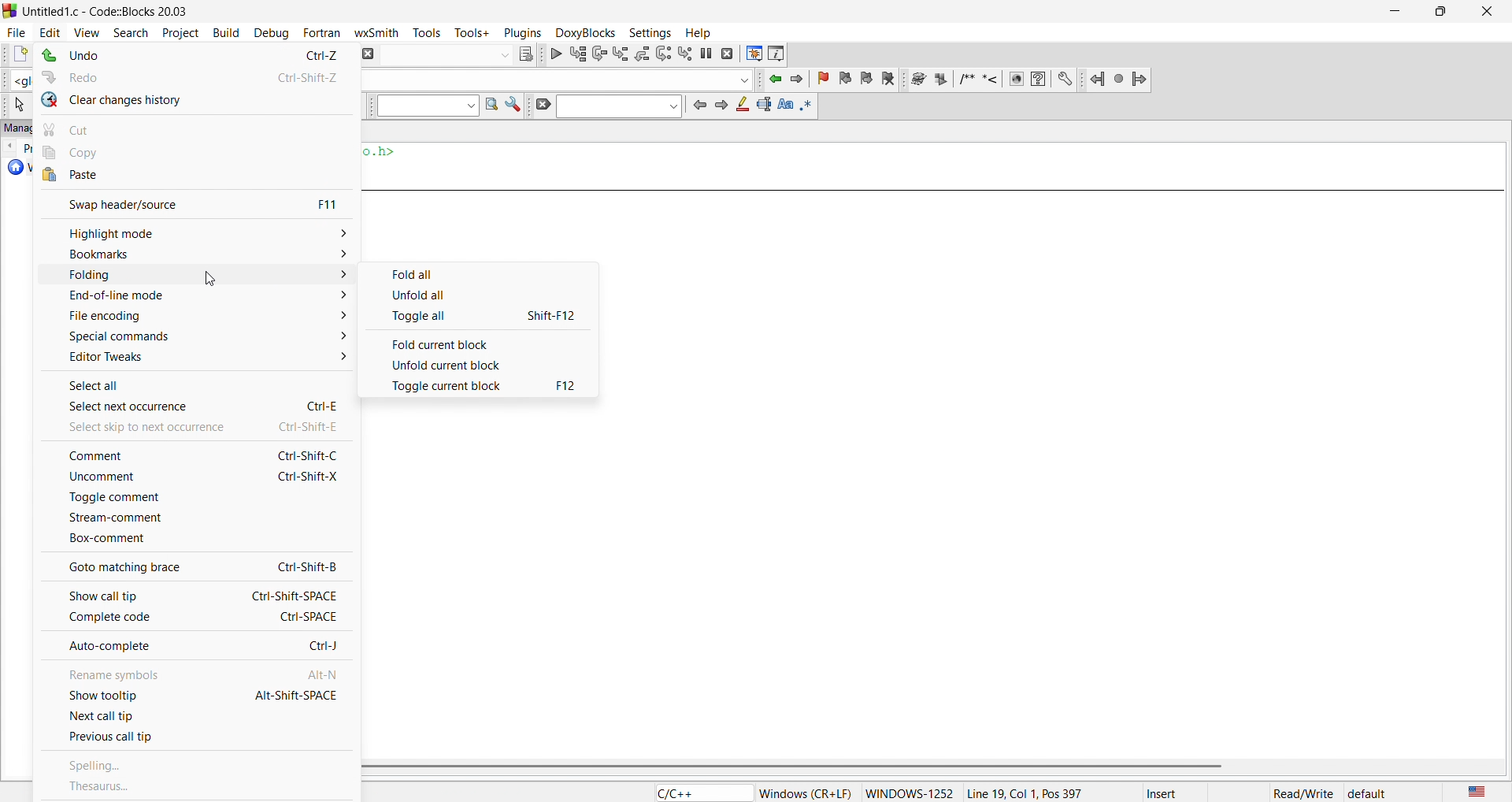 The image size is (1512, 802). What do you see at coordinates (480, 272) in the screenshot?
I see `` at bounding box center [480, 272].